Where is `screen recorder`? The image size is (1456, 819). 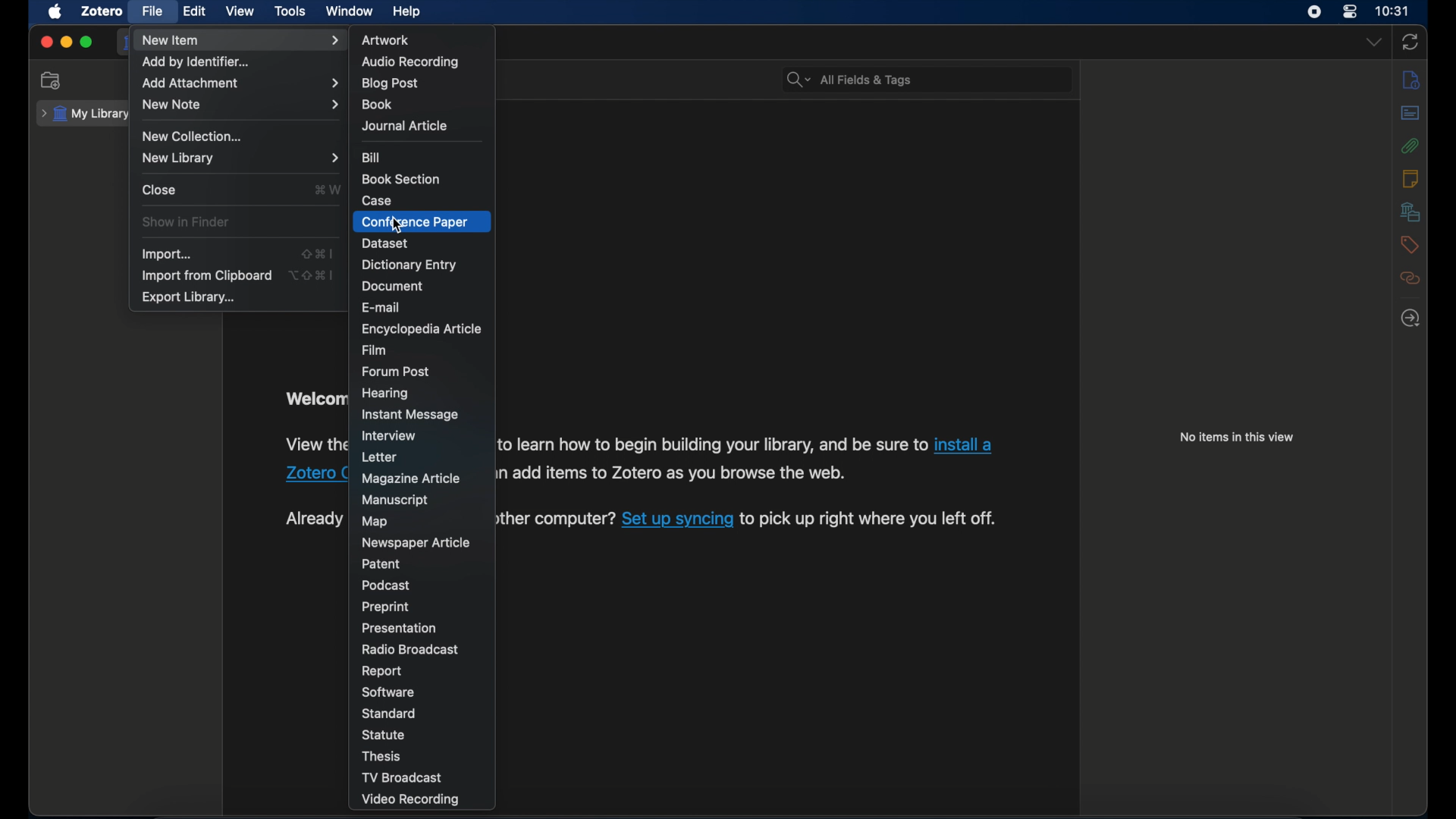 screen recorder is located at coordinates (1314, 12).